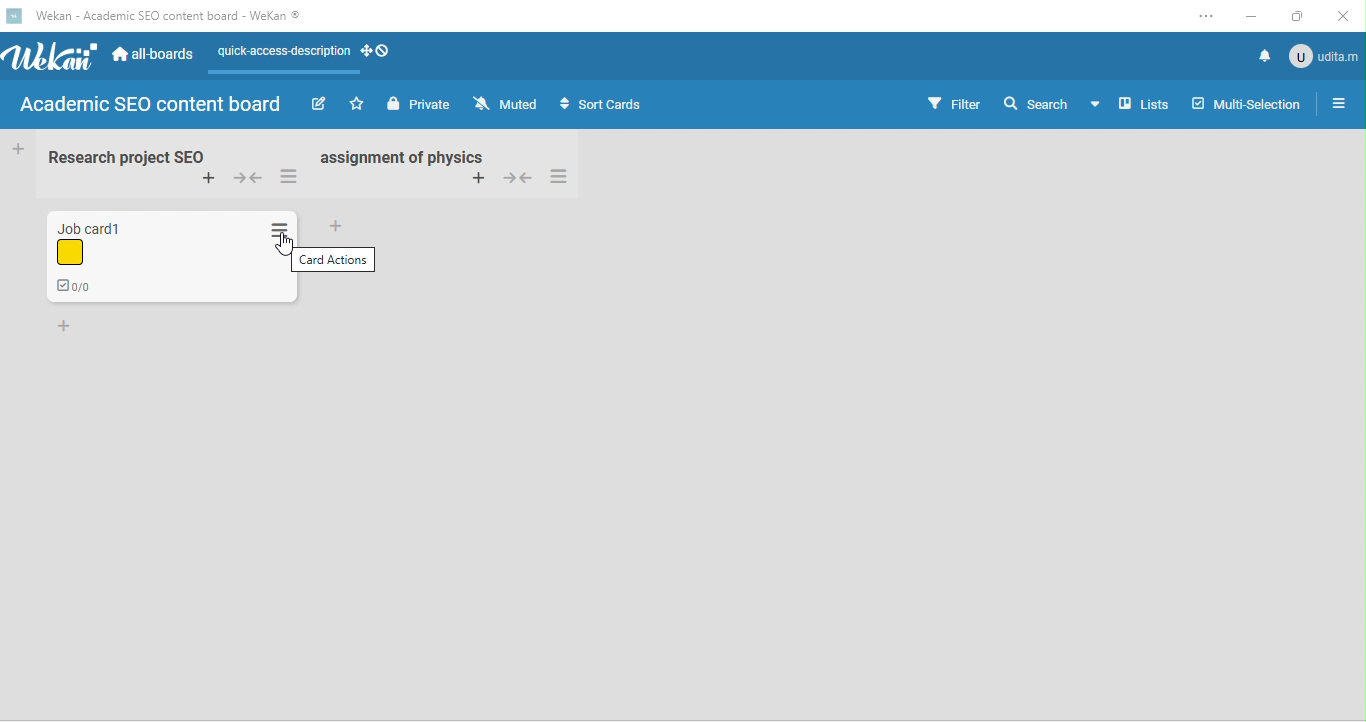 This screenshot has width=1366, height=722. I want to click on add card, so click(200, 179).